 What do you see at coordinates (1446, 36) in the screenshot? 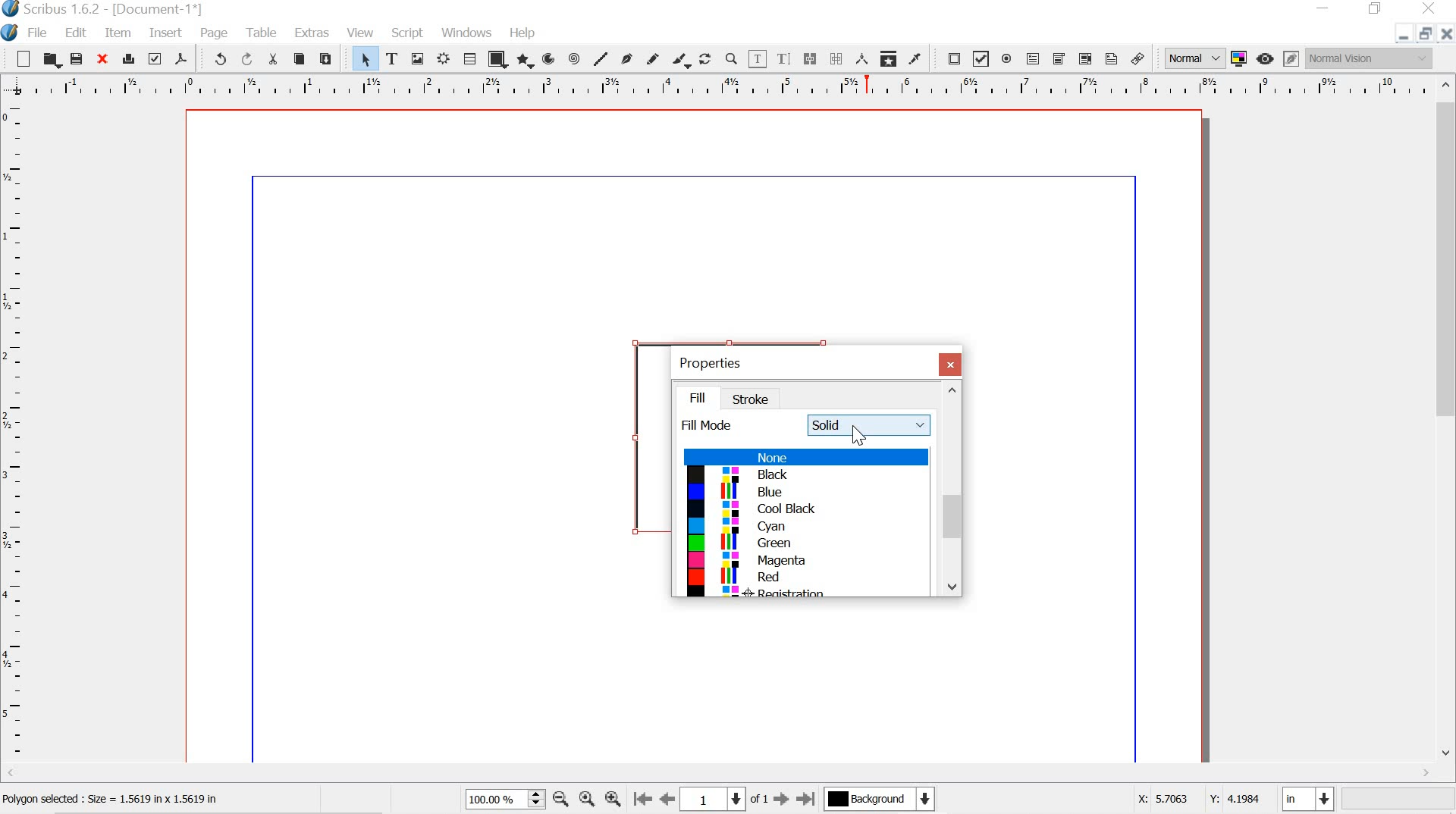
I see `close` at bounding box center [1446, 36].